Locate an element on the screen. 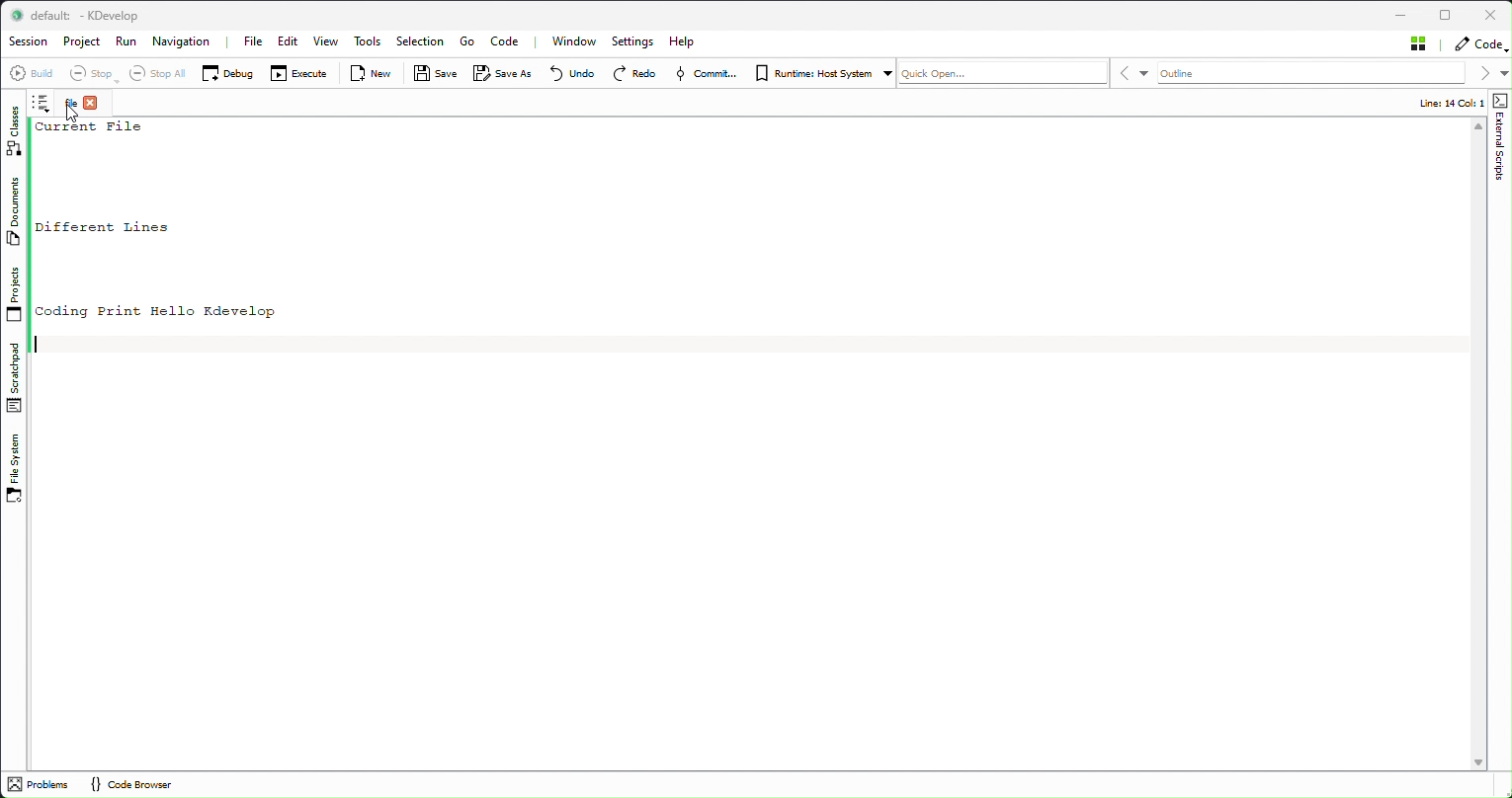 The height and width of the screenshot is (798, 1512). stachpad is located at coordinates (13, 377).